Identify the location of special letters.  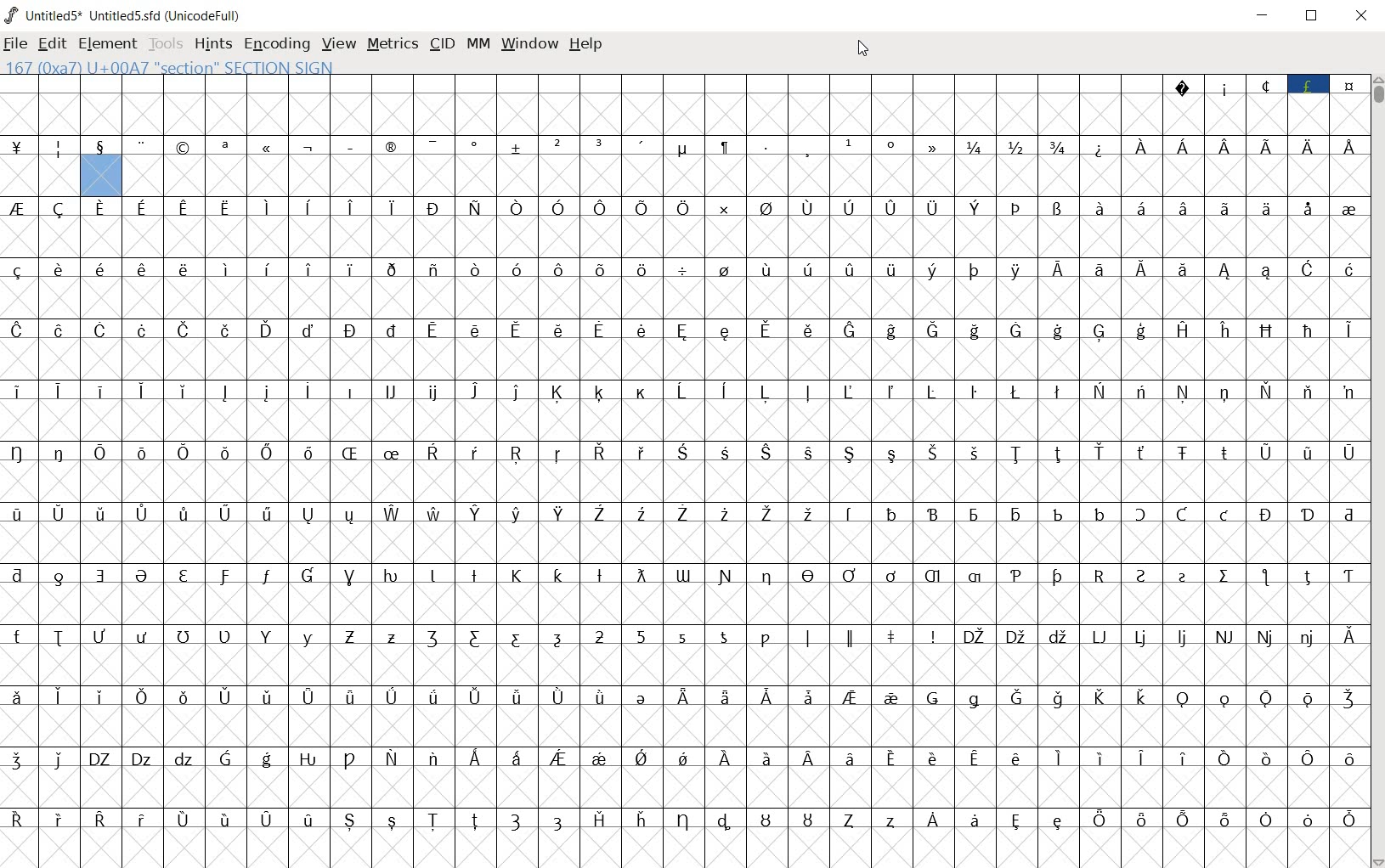
(891, 389).